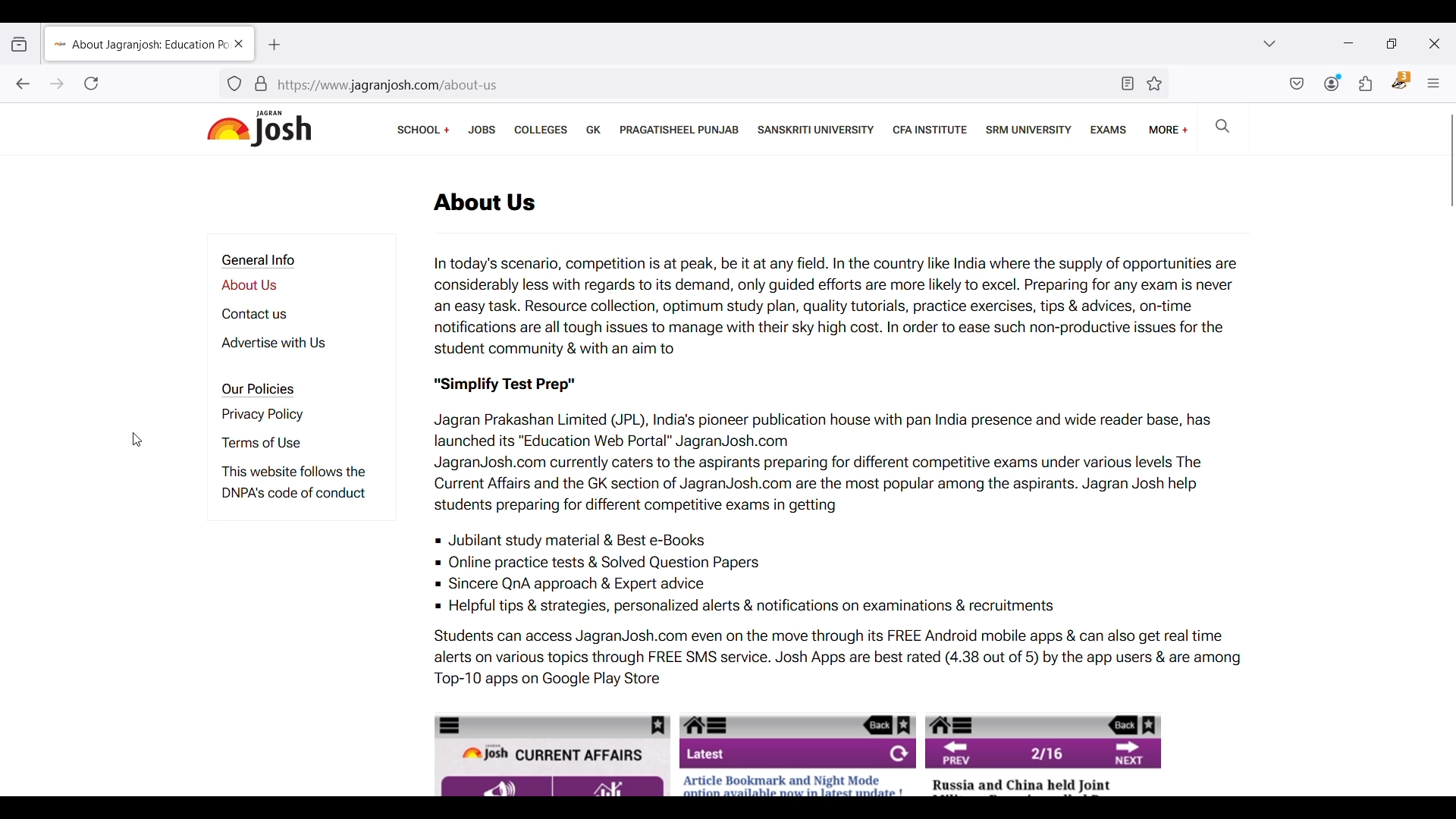  What do you see at coordinates (1401, 80) in the screenshot?
I see `Privacy badger` at bounding box center [1401, 80].